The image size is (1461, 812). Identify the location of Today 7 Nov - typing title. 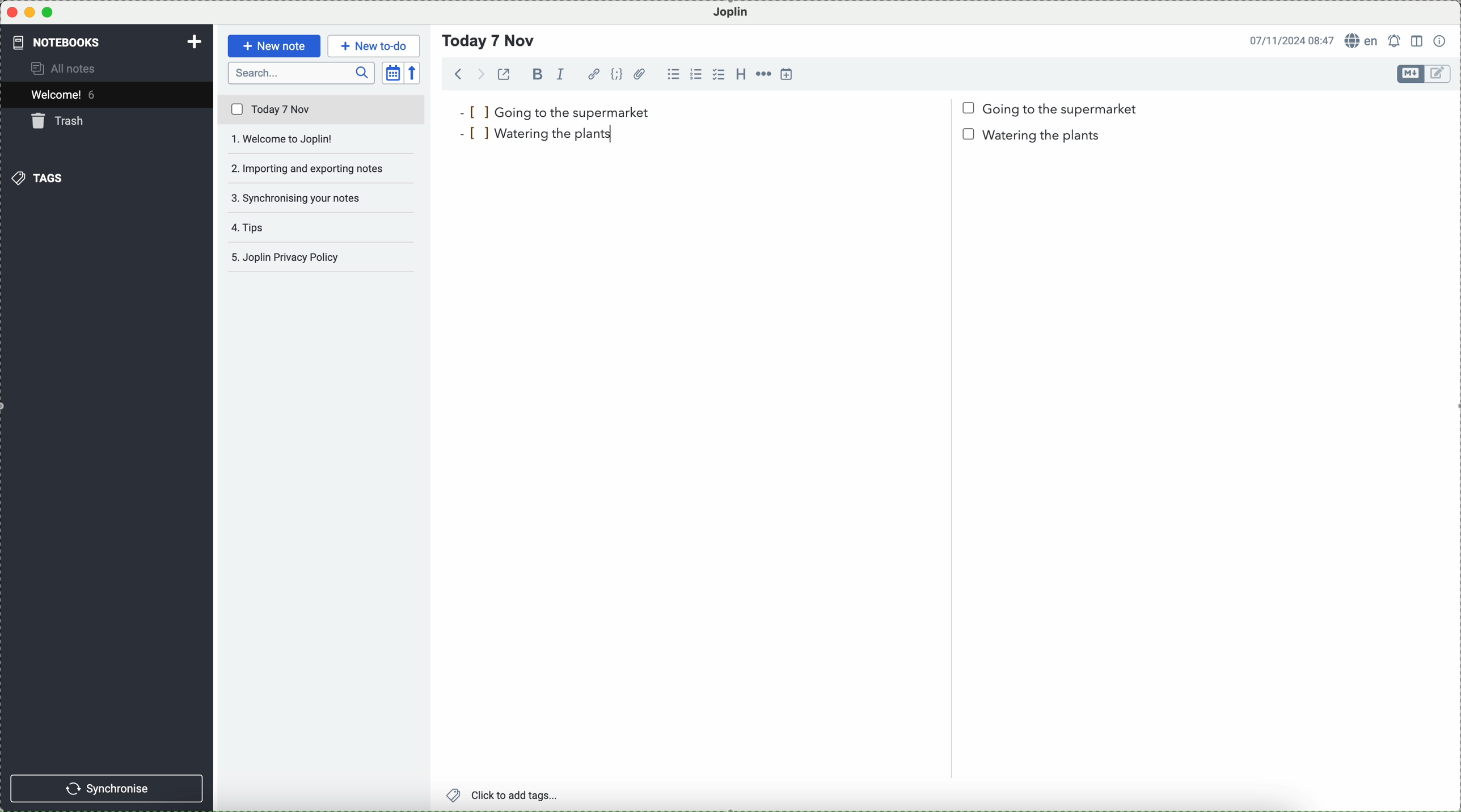
(489, 41).